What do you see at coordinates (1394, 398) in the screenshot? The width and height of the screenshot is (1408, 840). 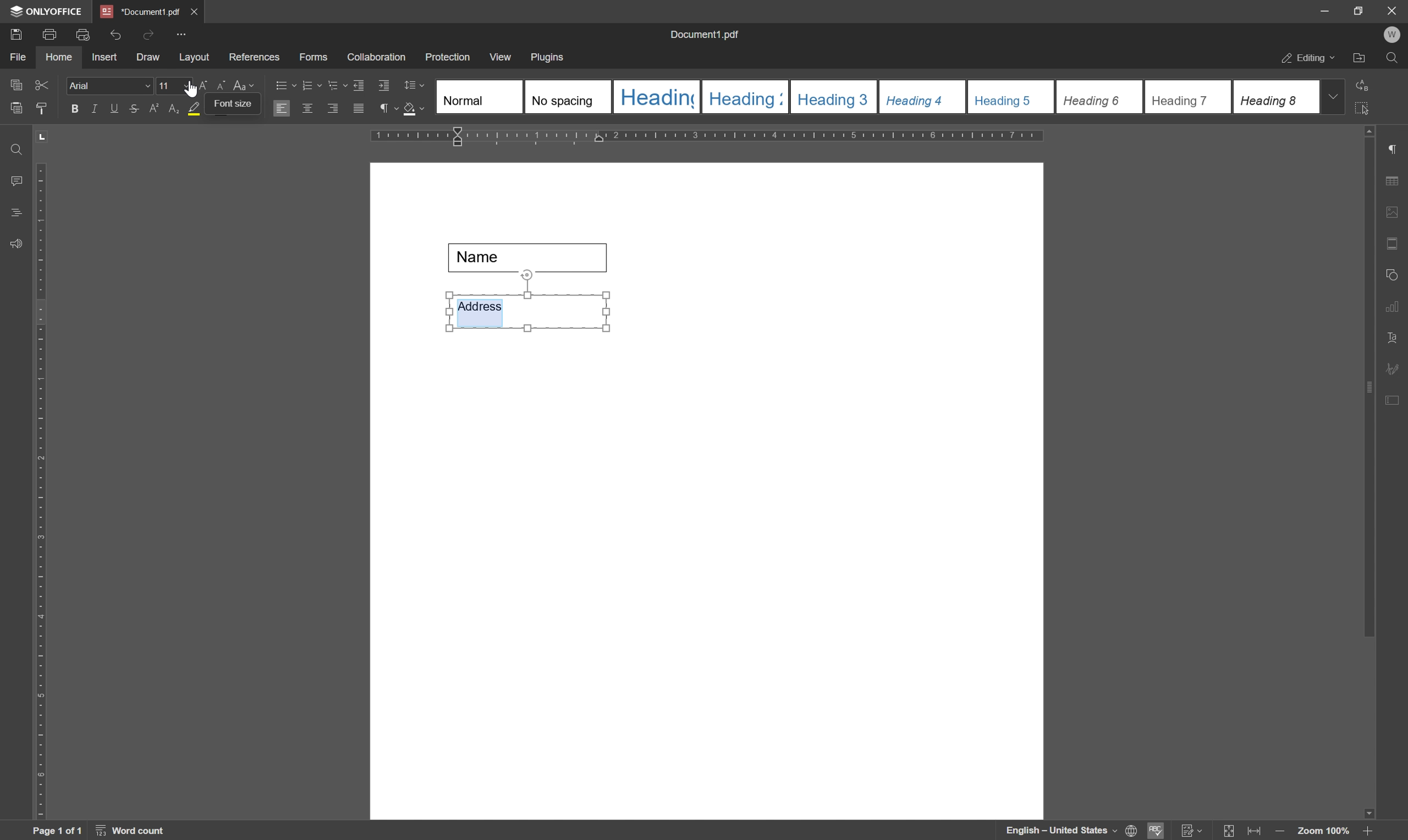 I see `form settings` at bounding box center [1394, 398].